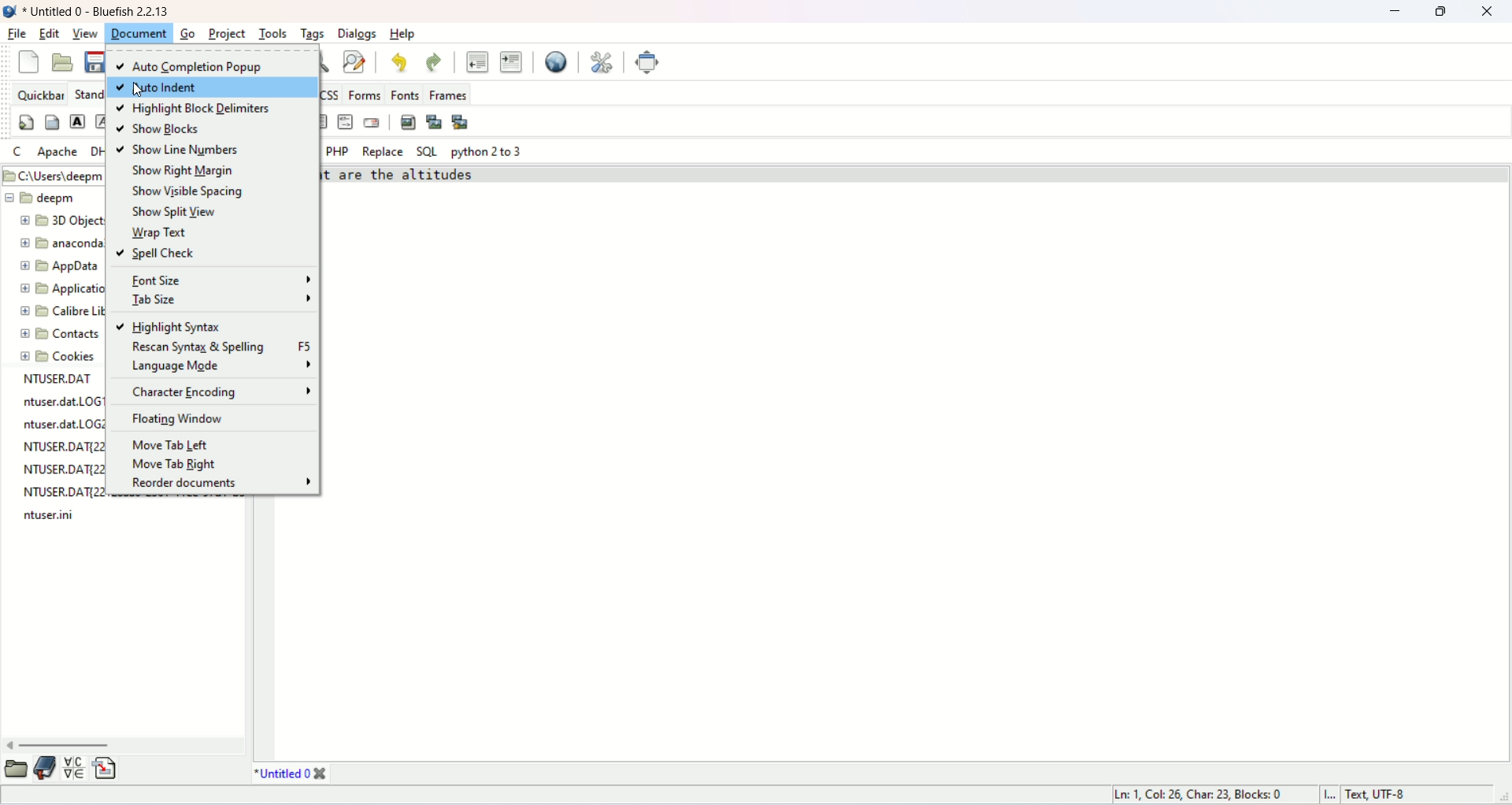 This screenshot has width=1512, height=805. What do you see at coordinates (1487, 12) in the screenshot?
I see `close` at bounding box center [1487, 12].